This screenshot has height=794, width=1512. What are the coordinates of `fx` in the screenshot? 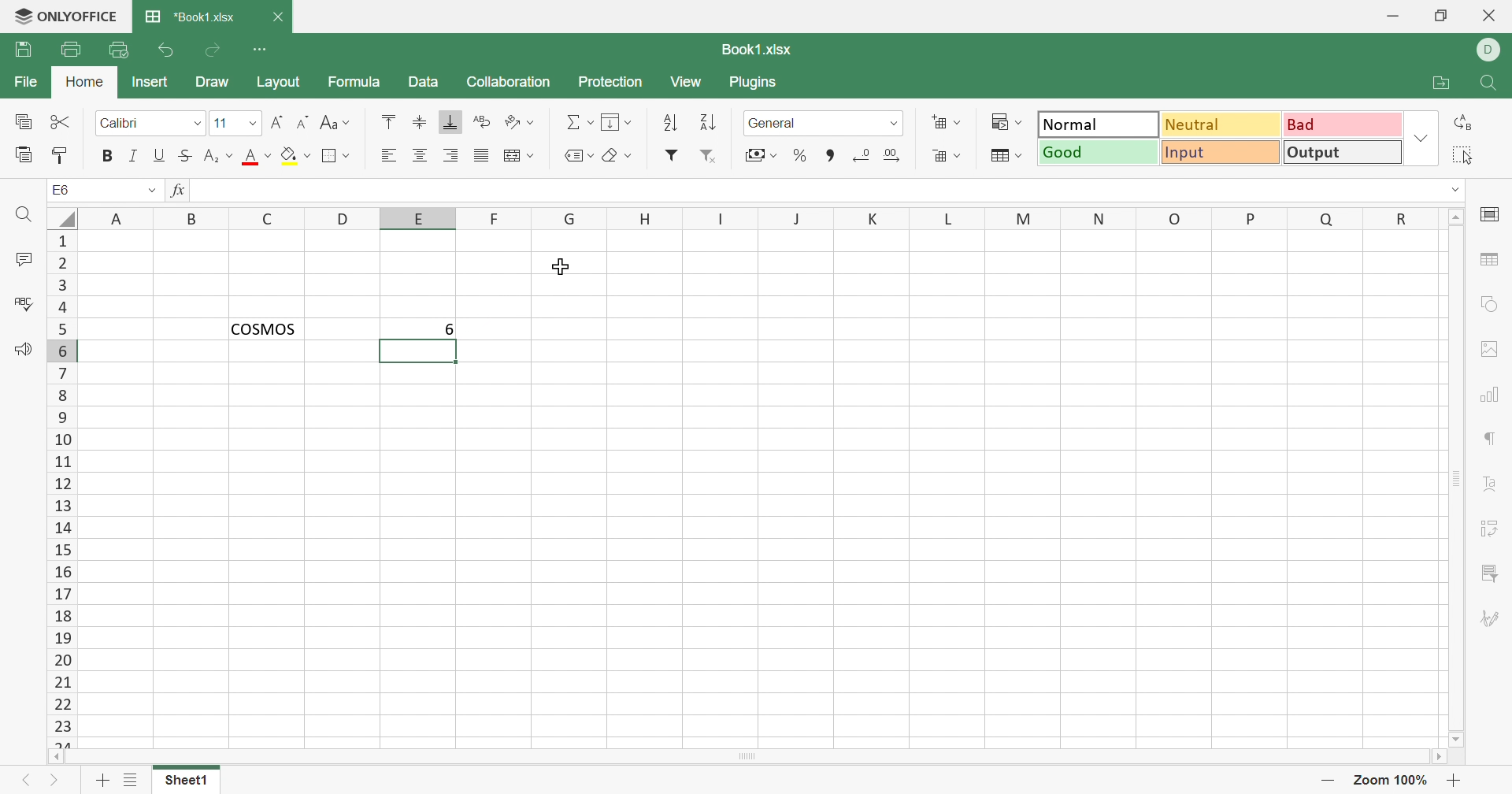 It's located at (179, 191).